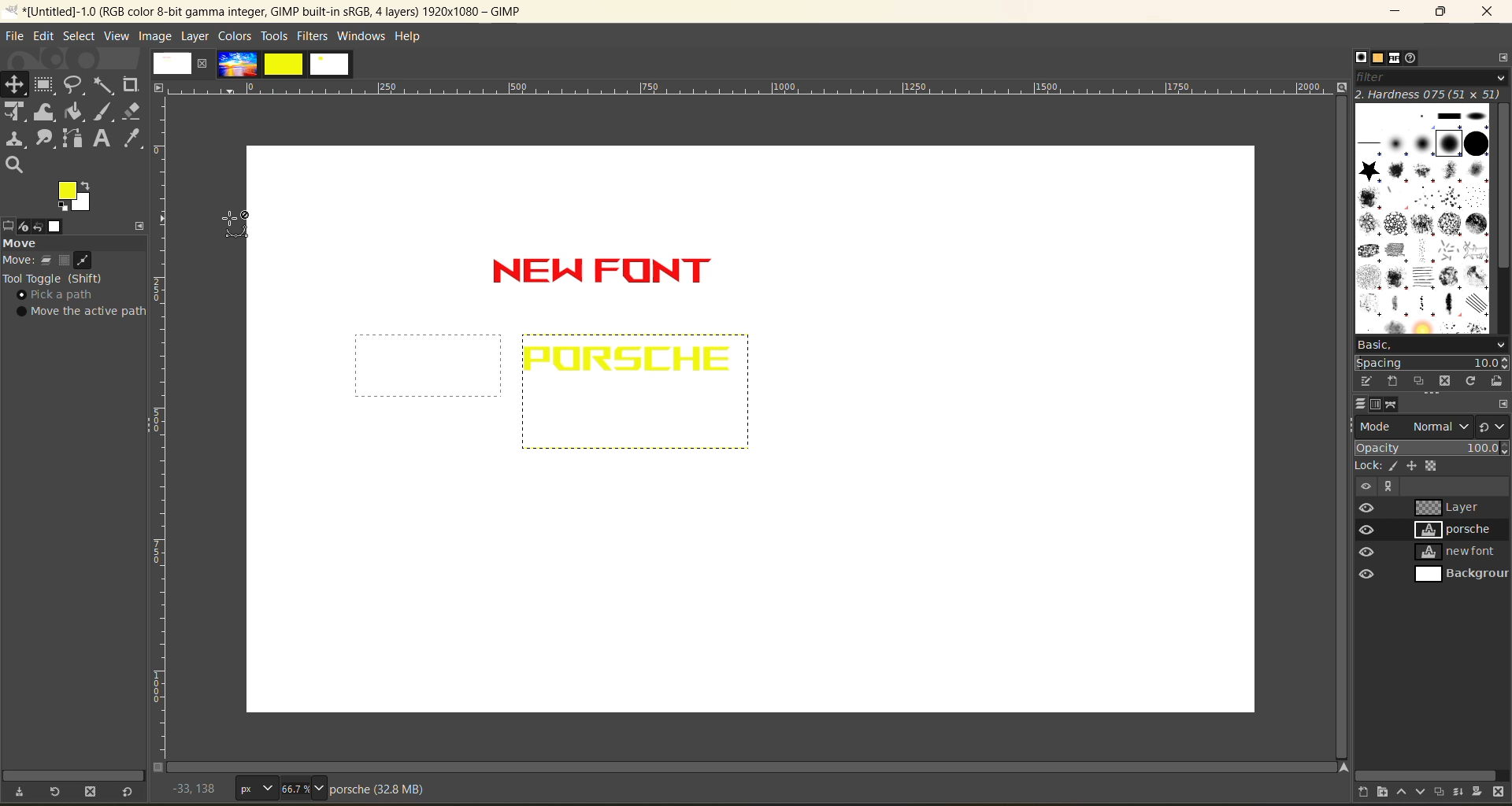  Describe the element at coordinates (406, 38) in the screenshot. I see `help` at that location.